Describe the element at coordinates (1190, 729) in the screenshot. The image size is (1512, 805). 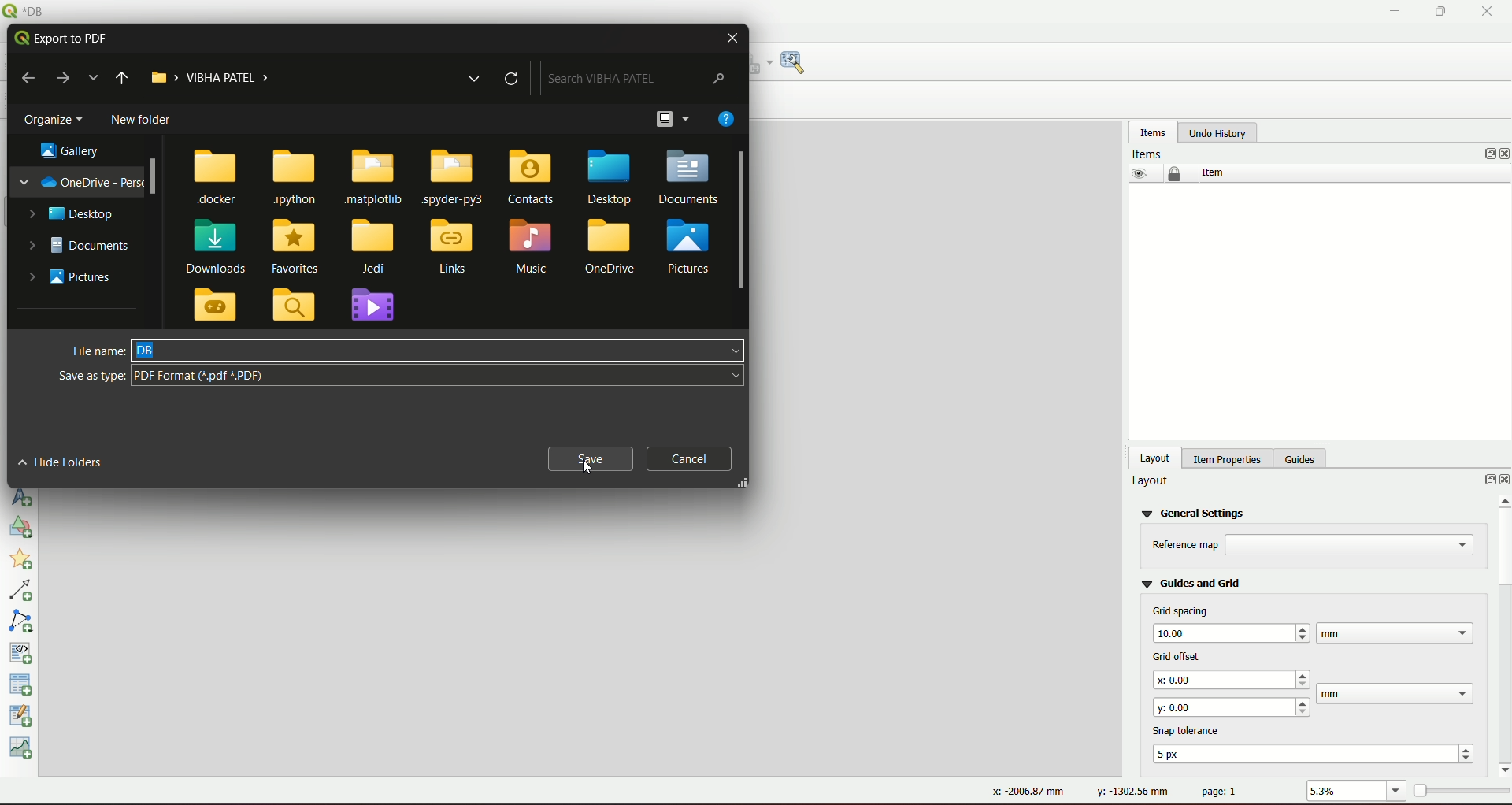
I see `Snap tolerance` at that location.